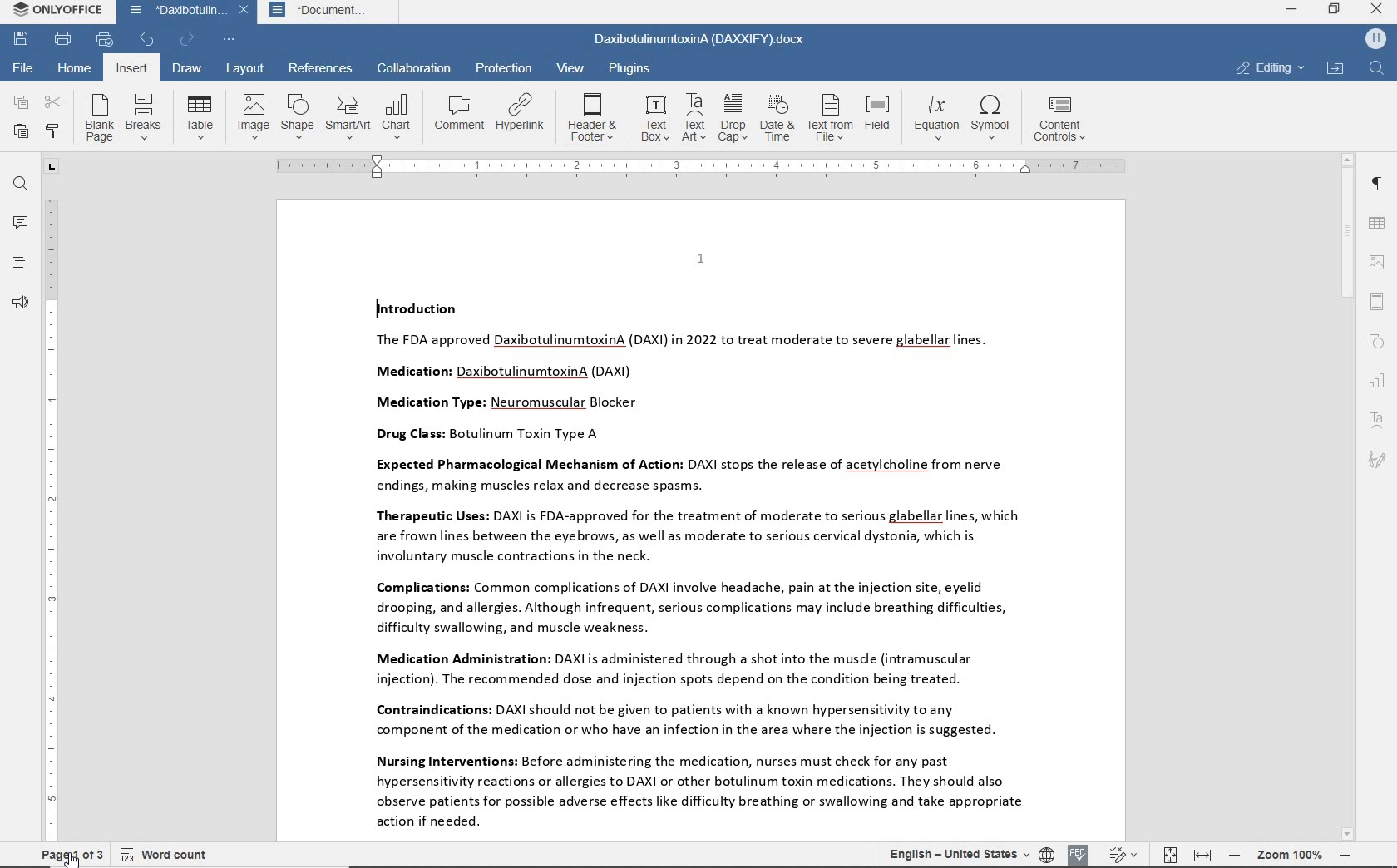 The width and height of the screenshot is (1397, 868). What do you see at coordinates (244, 70) in the screenshot?
I see `layout` at bounding box center [244, 70].